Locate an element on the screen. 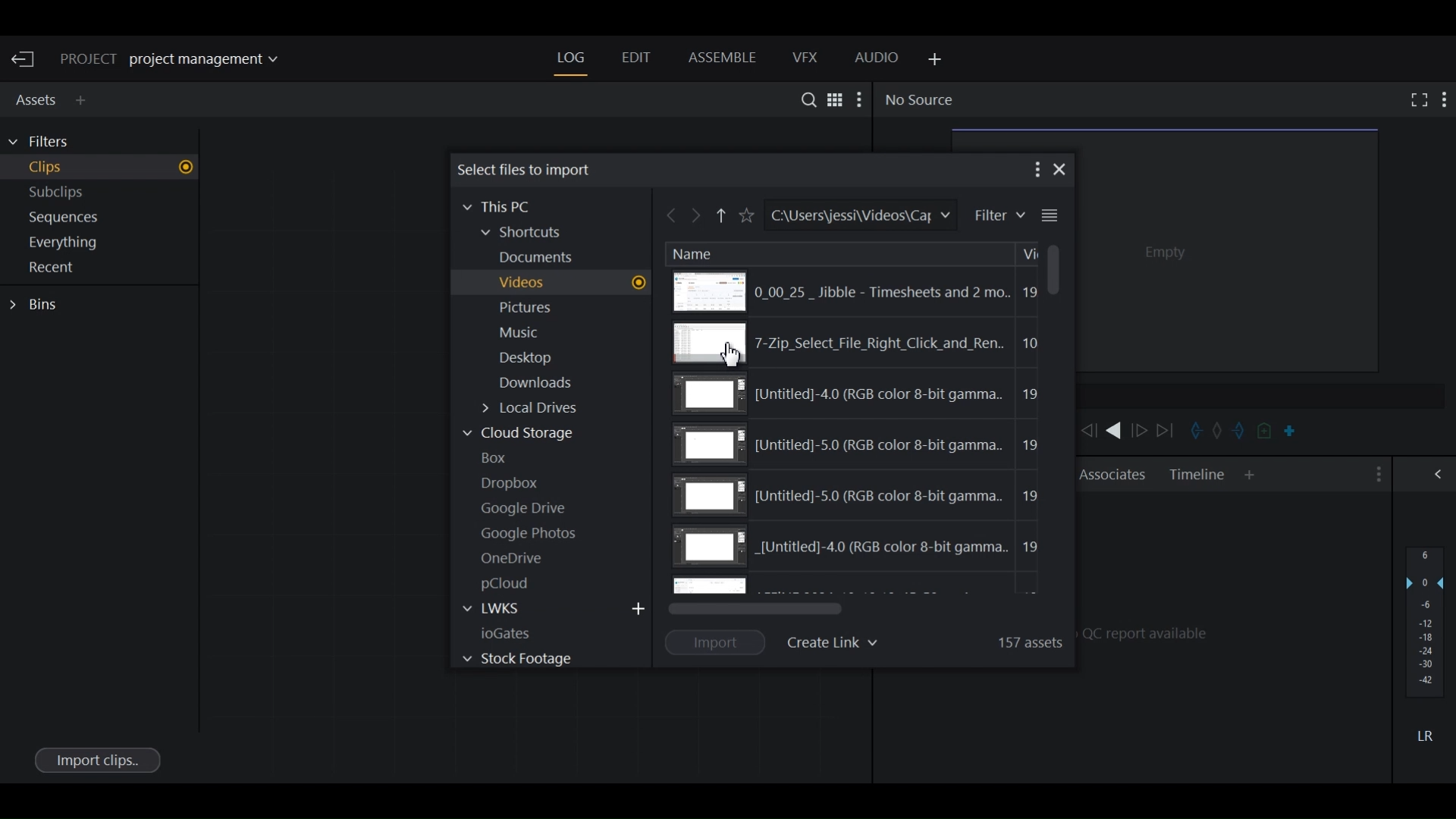  Nudge one frame forward is located at coordinates (1141, 431).